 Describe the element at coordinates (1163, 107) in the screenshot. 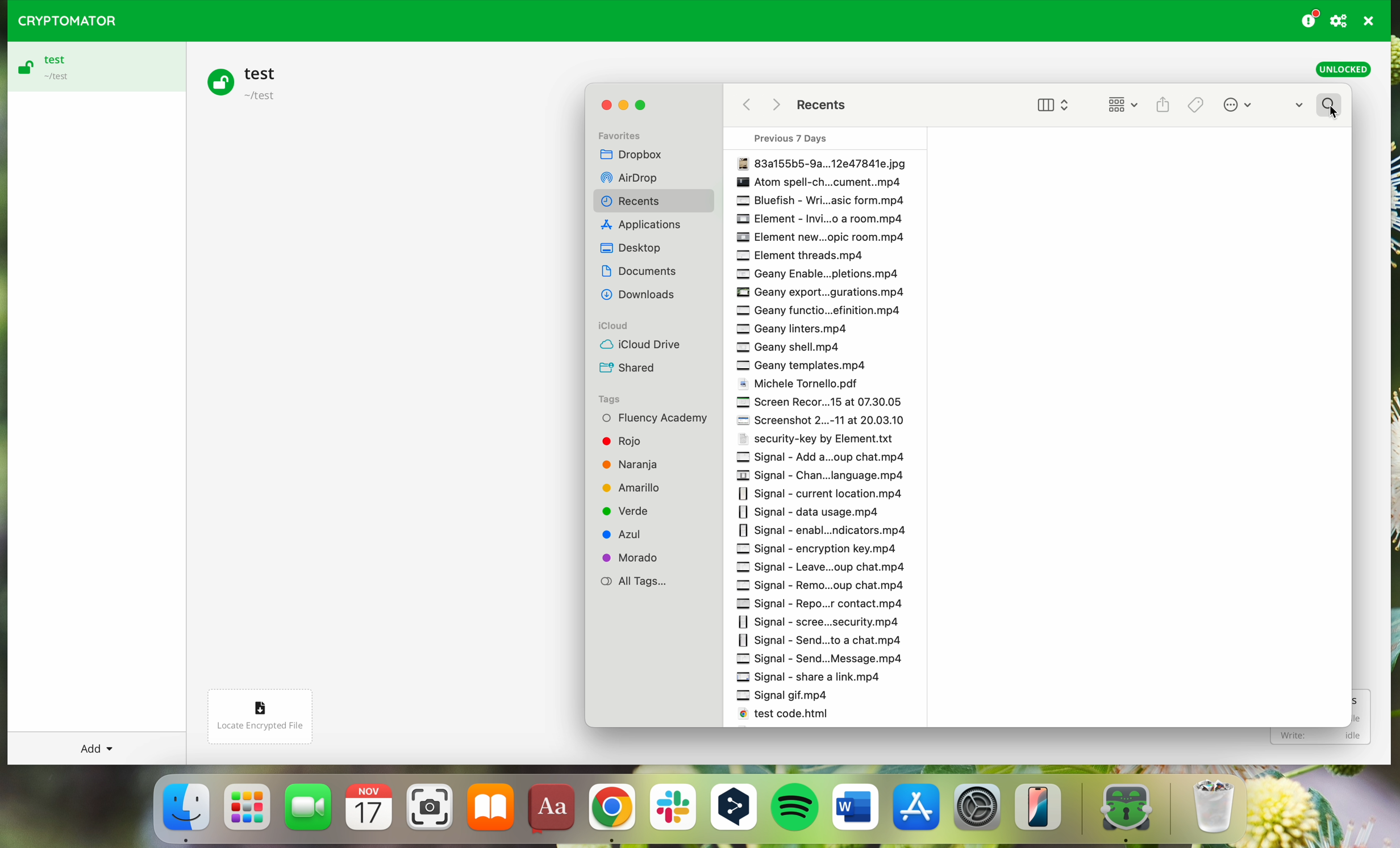

I see `share` at that location.